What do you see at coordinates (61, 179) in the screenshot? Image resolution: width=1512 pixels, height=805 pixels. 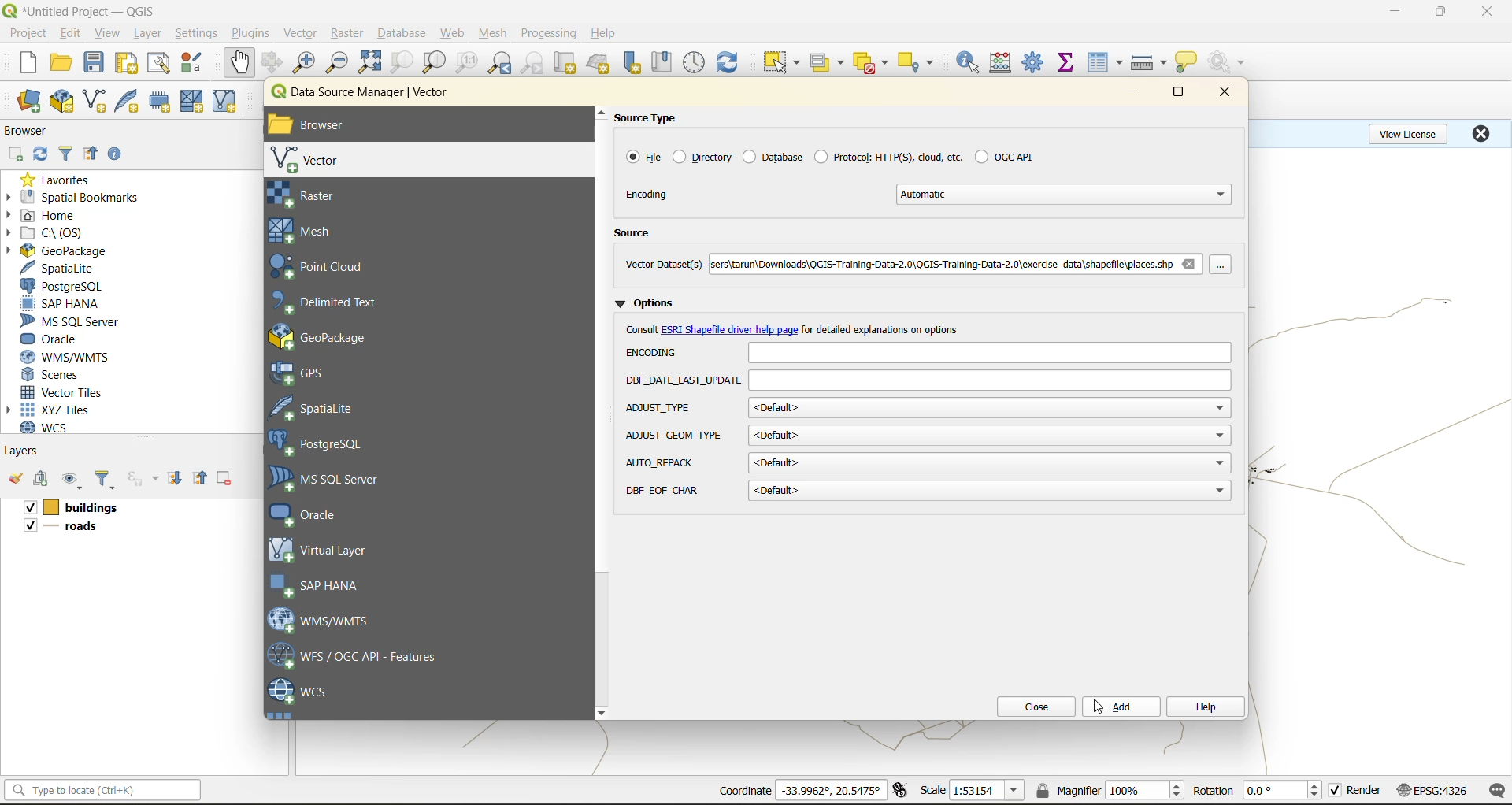 I see `favorites` at bounding box center [61, 179].